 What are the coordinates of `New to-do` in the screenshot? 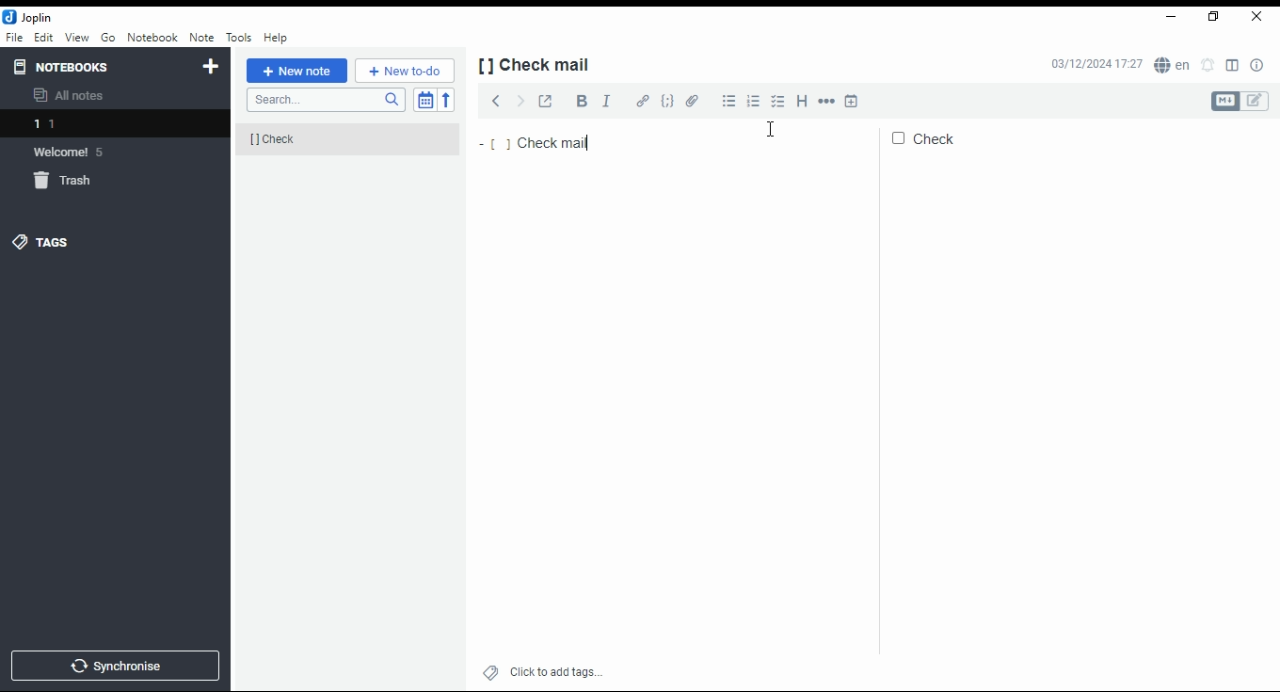 It's located at (405, 70).